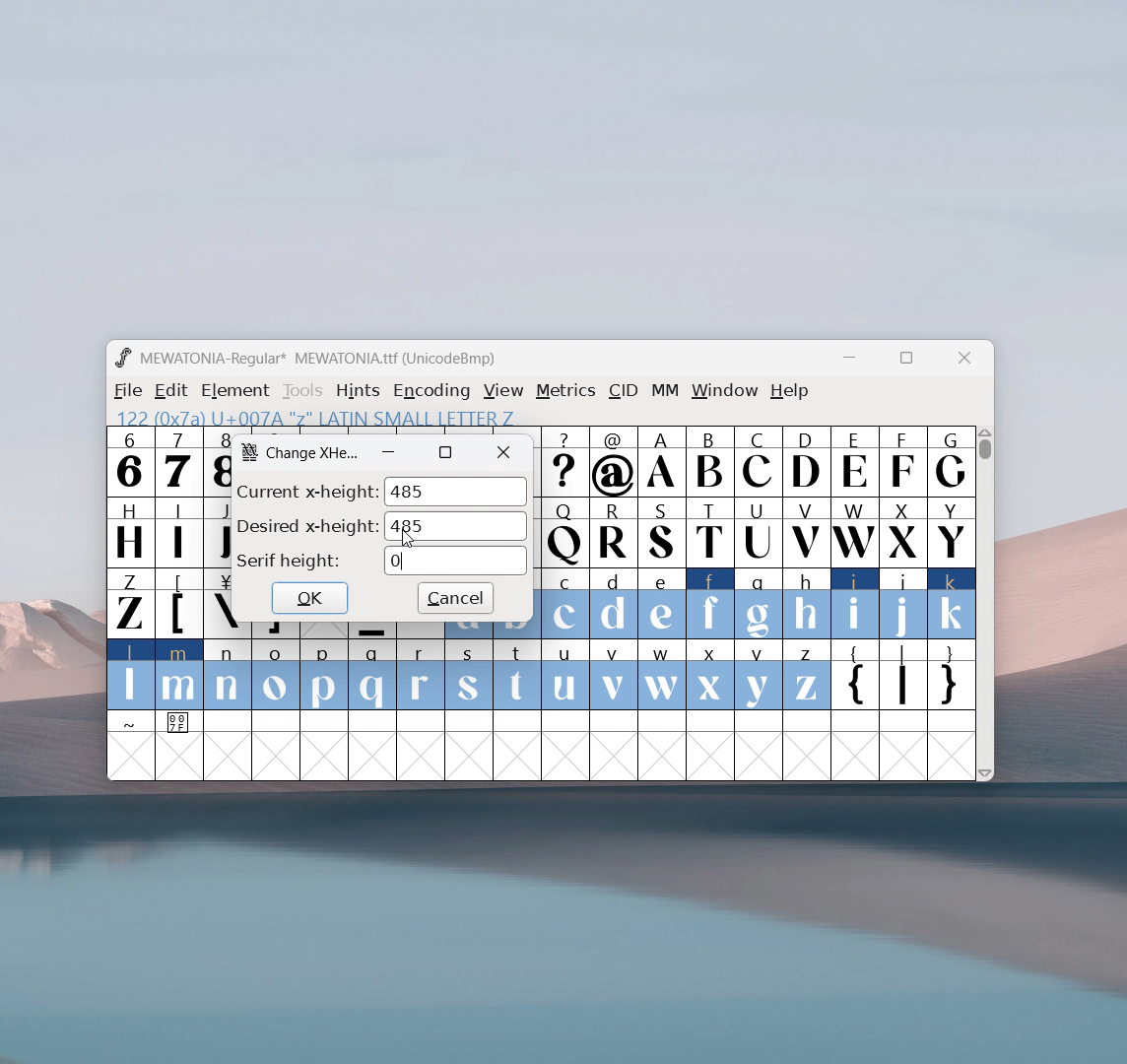 This screenshot has width=1127, height=1064. Describe the element at coordinates (122, 358) in the screenshot. I see `logo` at that location.